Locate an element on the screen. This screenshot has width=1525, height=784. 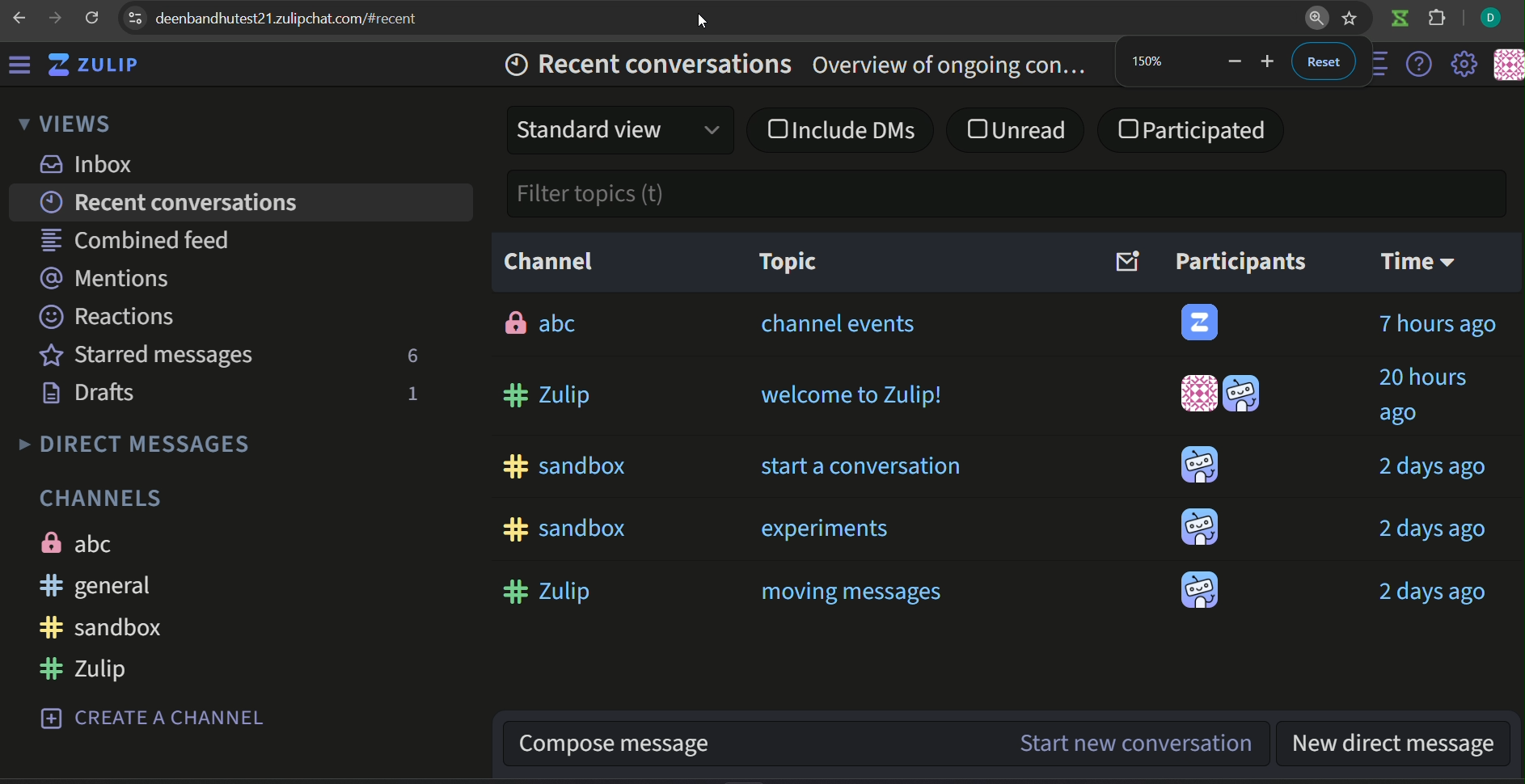
VIEWS is located at coordinates (65, 122).